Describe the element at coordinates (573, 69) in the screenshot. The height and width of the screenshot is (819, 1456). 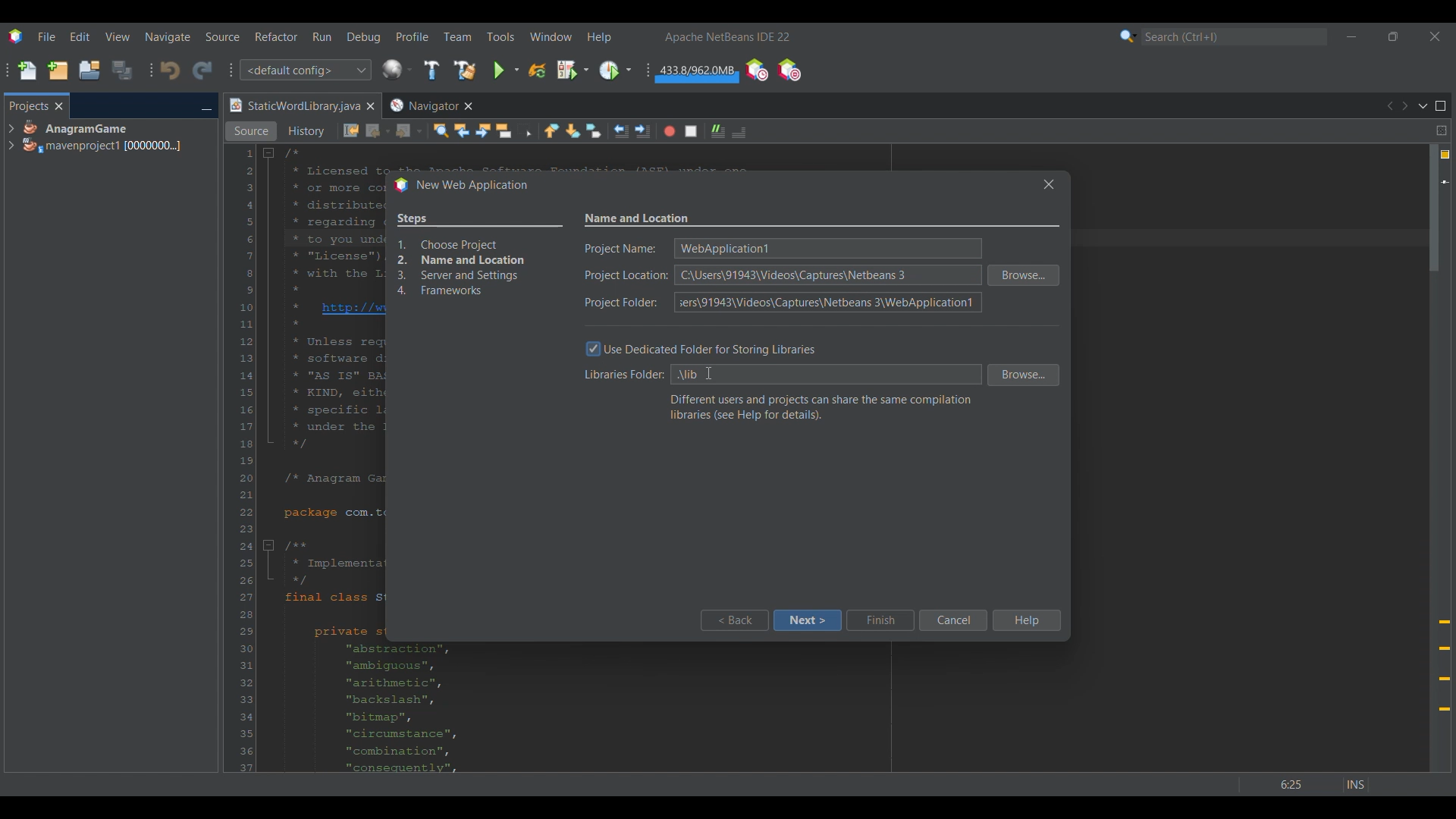
I see `Debug main project options` at that location.